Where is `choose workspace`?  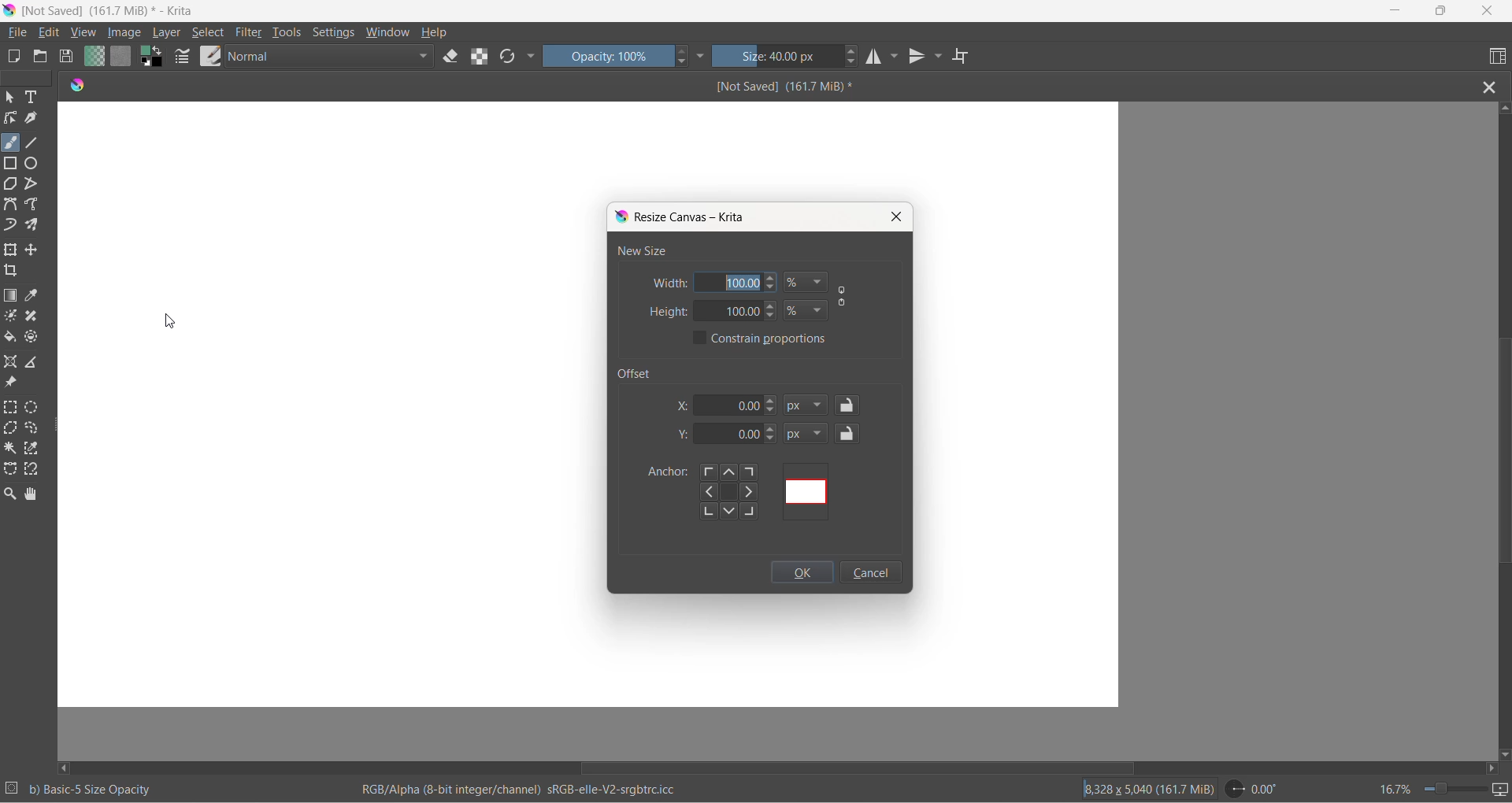 choose workspace is located at coordinates (1495, 57).